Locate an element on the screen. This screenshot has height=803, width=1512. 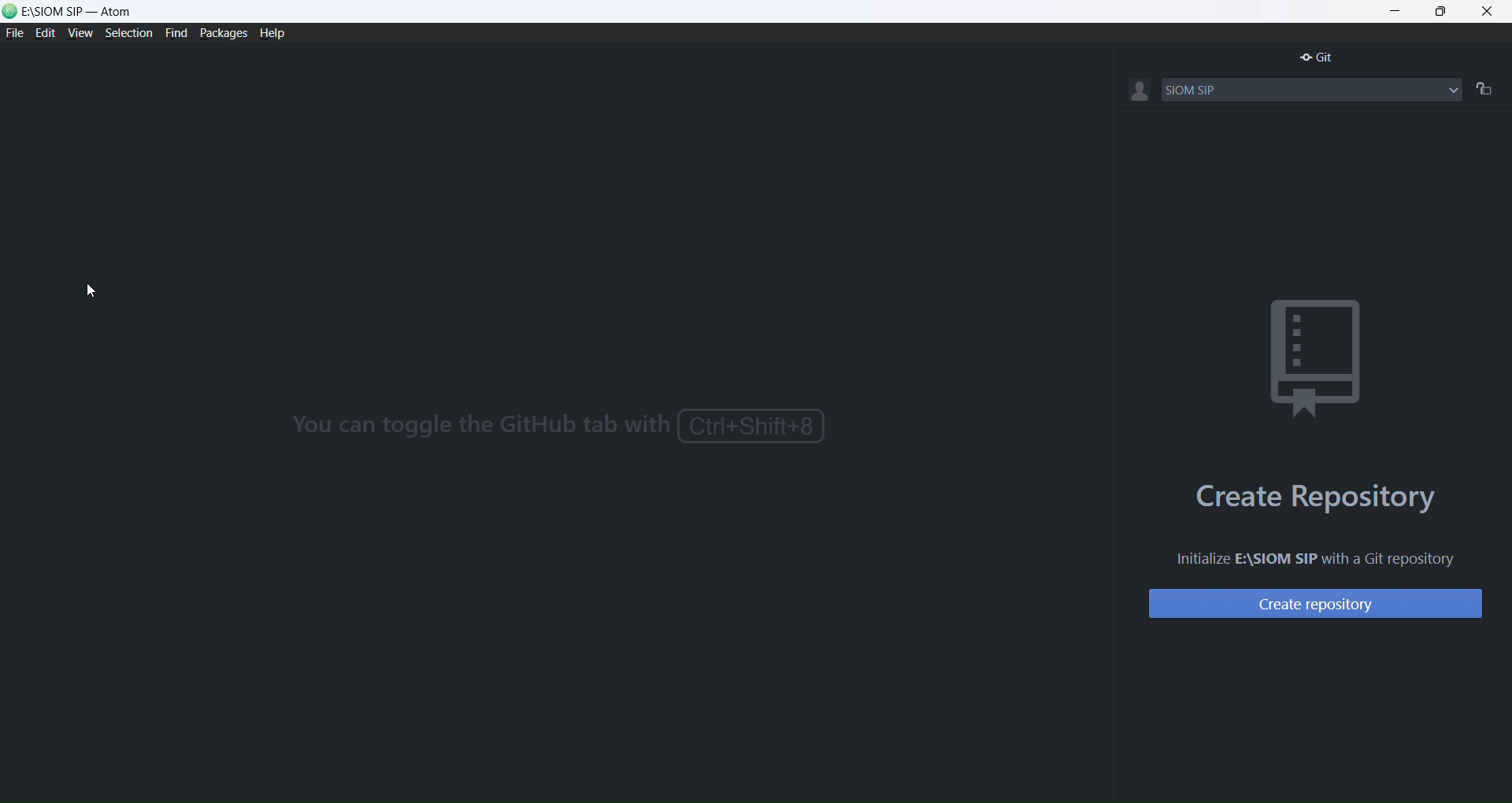
maximize is located at coordinates (1443, 13).